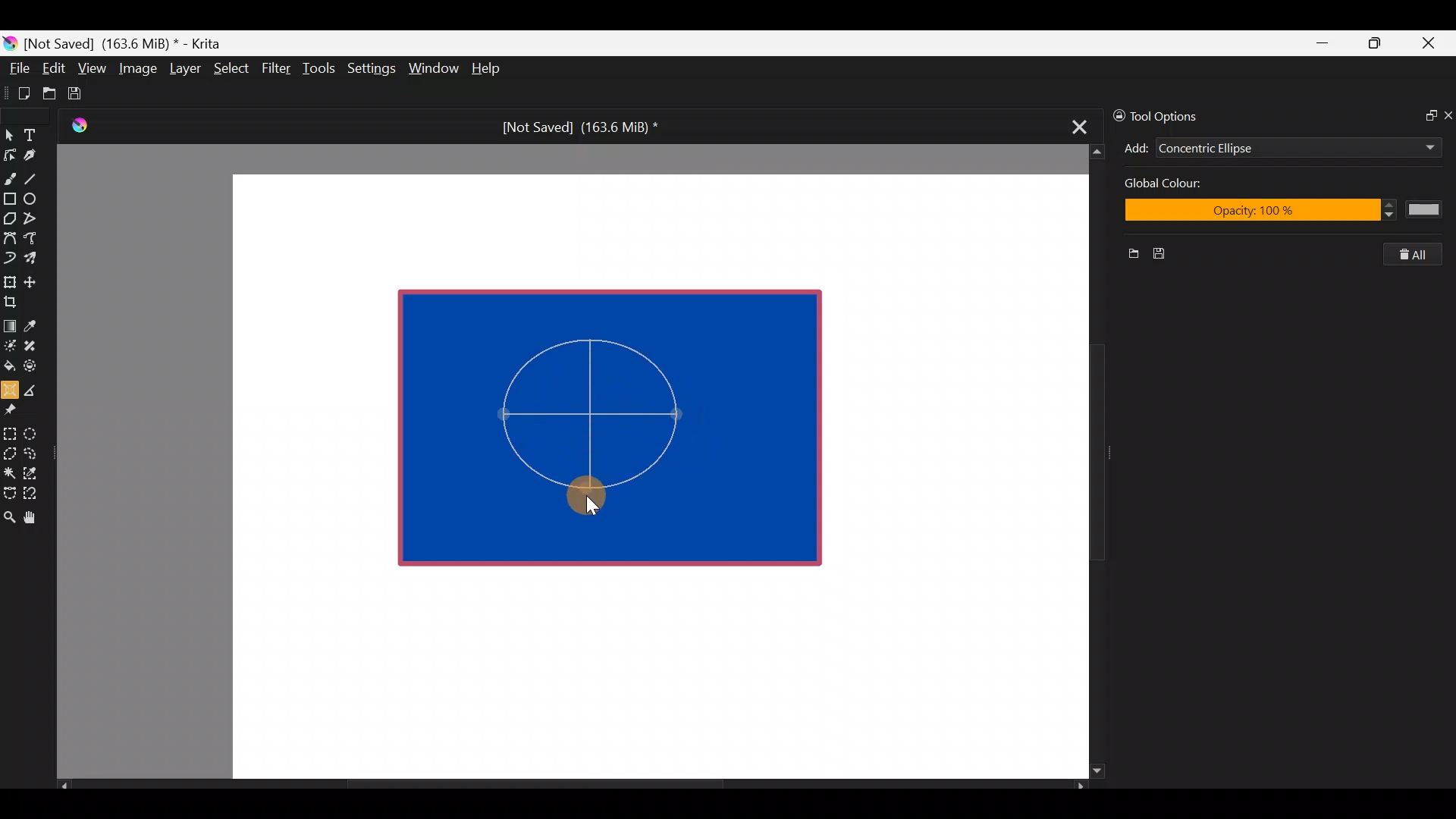 The width and height of the screenshot is (1456, 819). What do you see at coordinates (38, 134) in the screenshot?
I see `Text tool` at bounding box center [38, 134].